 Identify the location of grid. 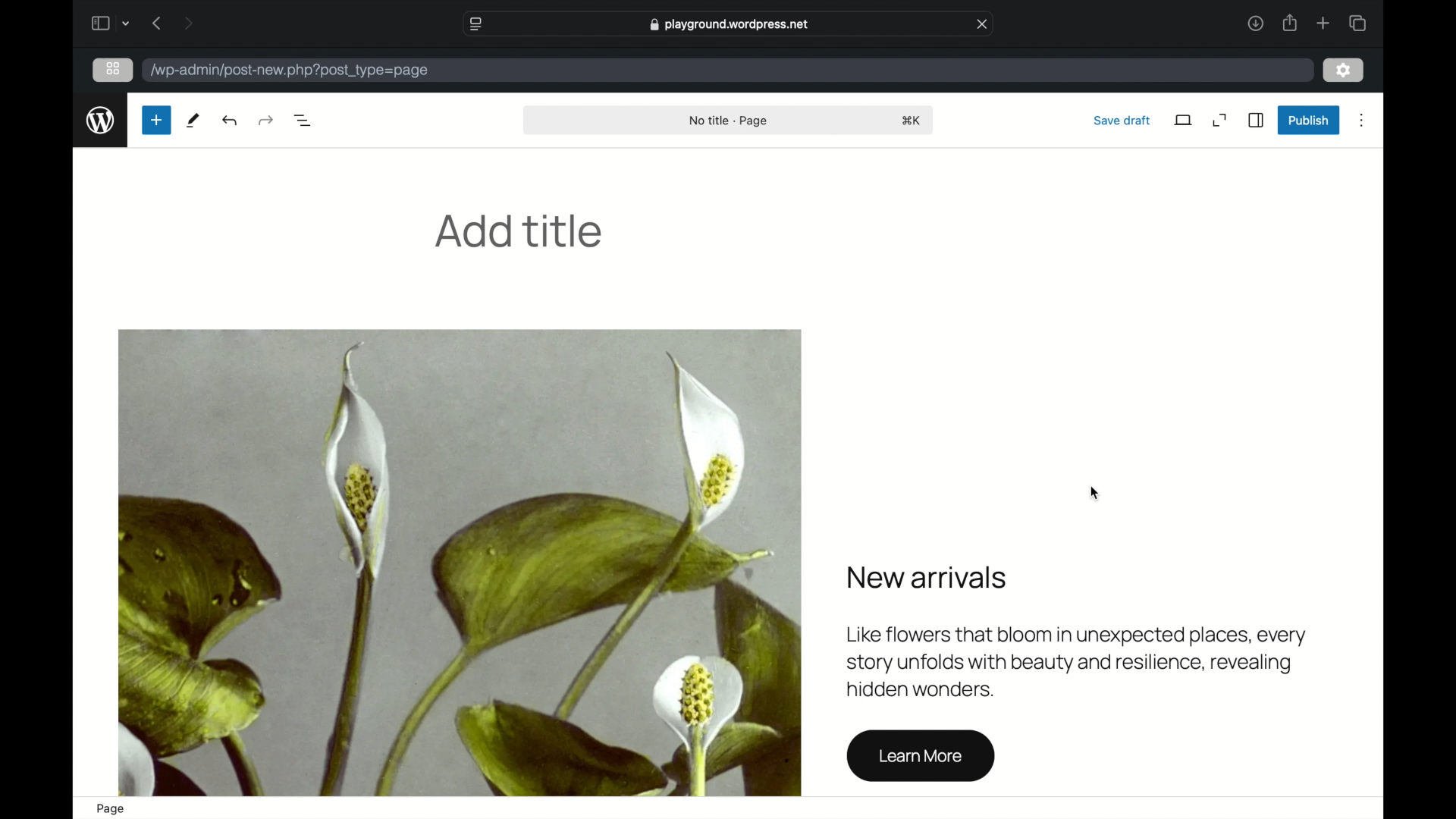
(113, 68).